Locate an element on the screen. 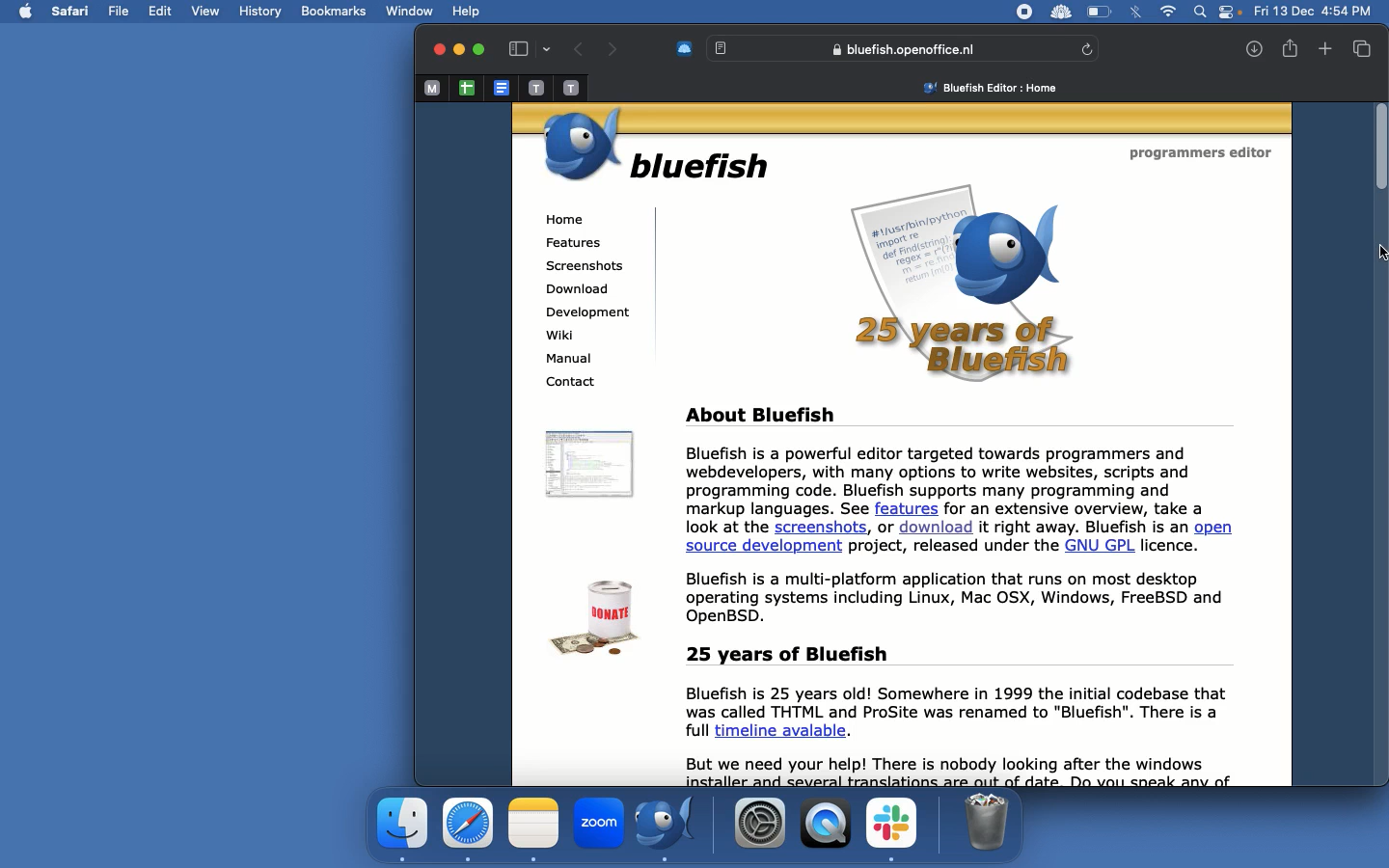 The width and height of the screenshot is (1389, 868). Back is located at coordinates (582, 50).